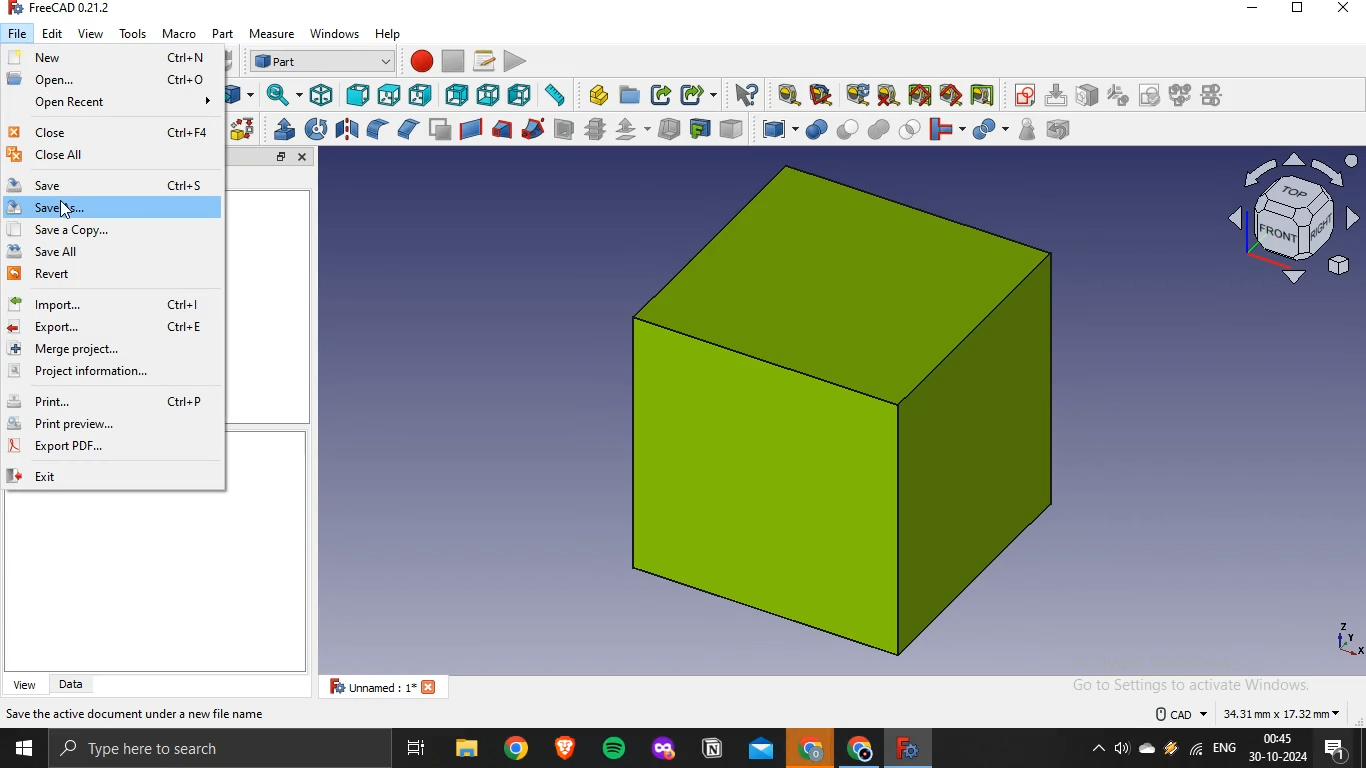 The height and width of the screenshot is (768, 1366). Describe the element at coordinates (1197, 749) in the screenshot. I see `wifi` at that location.